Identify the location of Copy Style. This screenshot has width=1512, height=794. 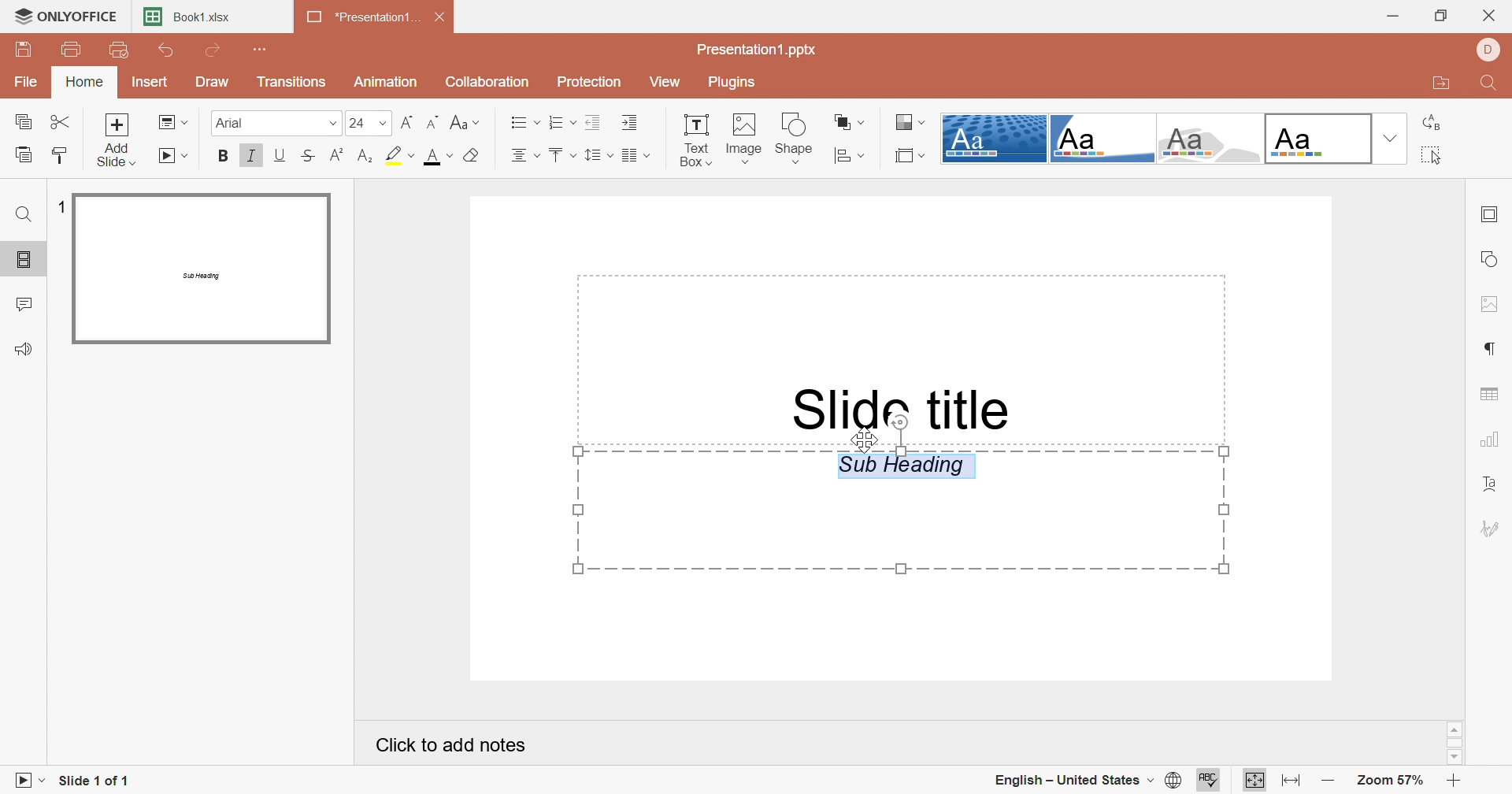
(61, 154).